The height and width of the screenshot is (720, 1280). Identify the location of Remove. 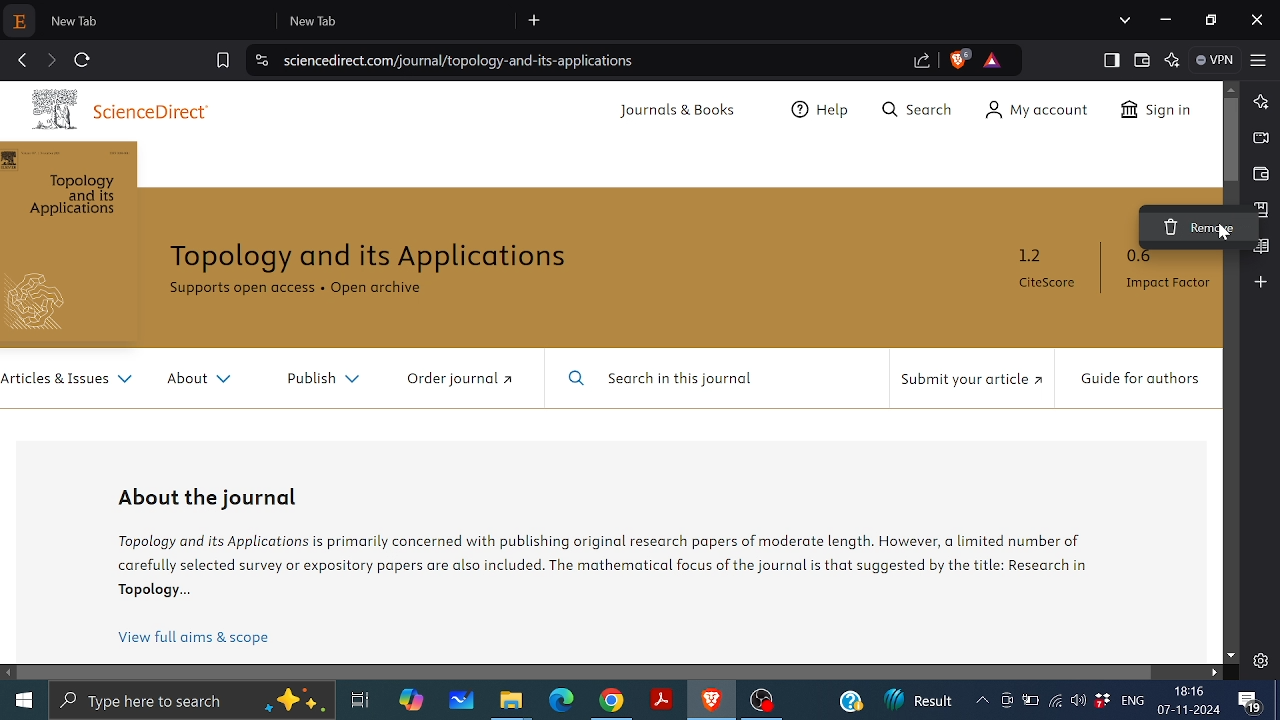
(1201, 226).